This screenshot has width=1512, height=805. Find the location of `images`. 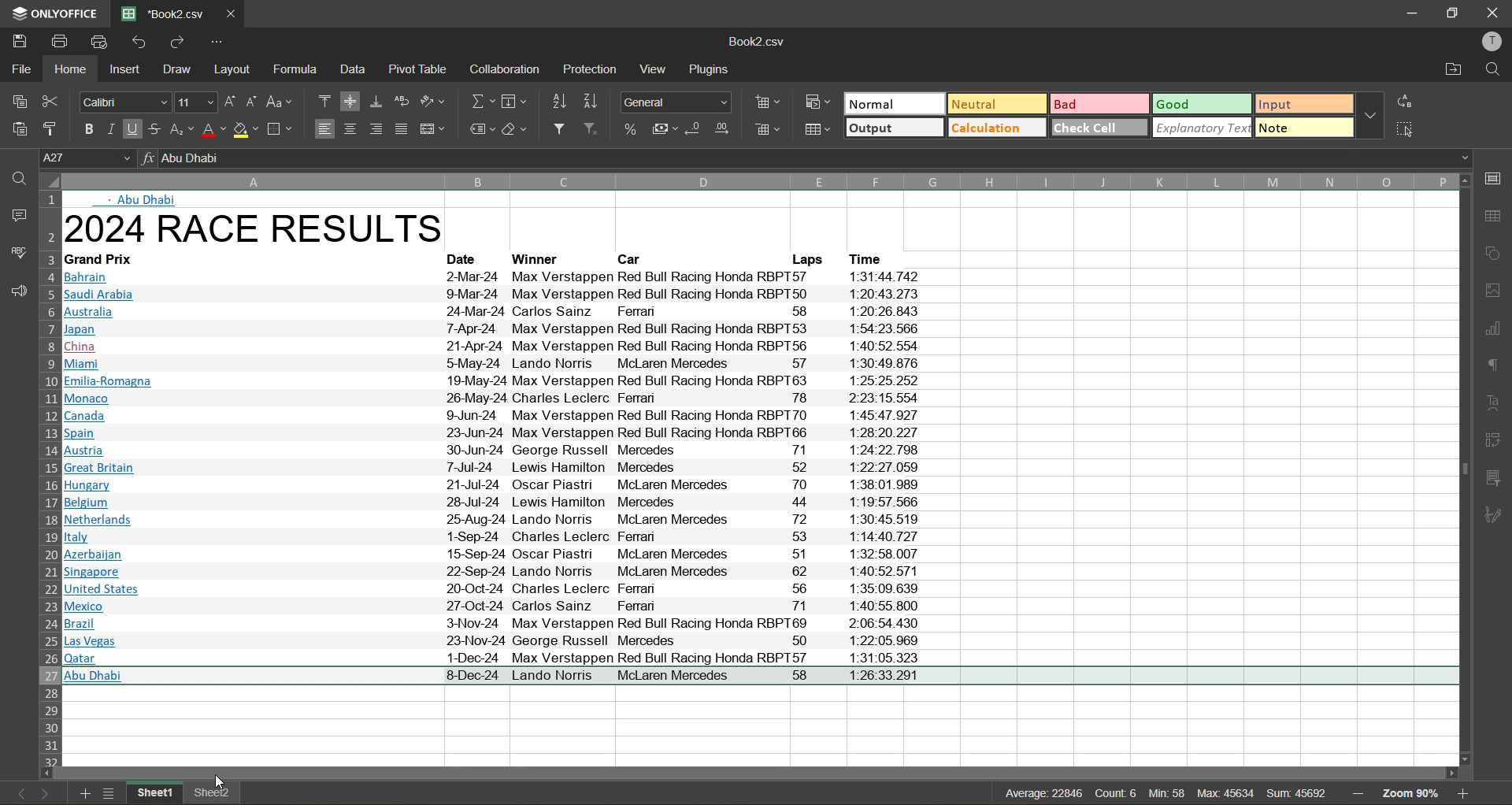

images is located at coordinates (1494, 291).